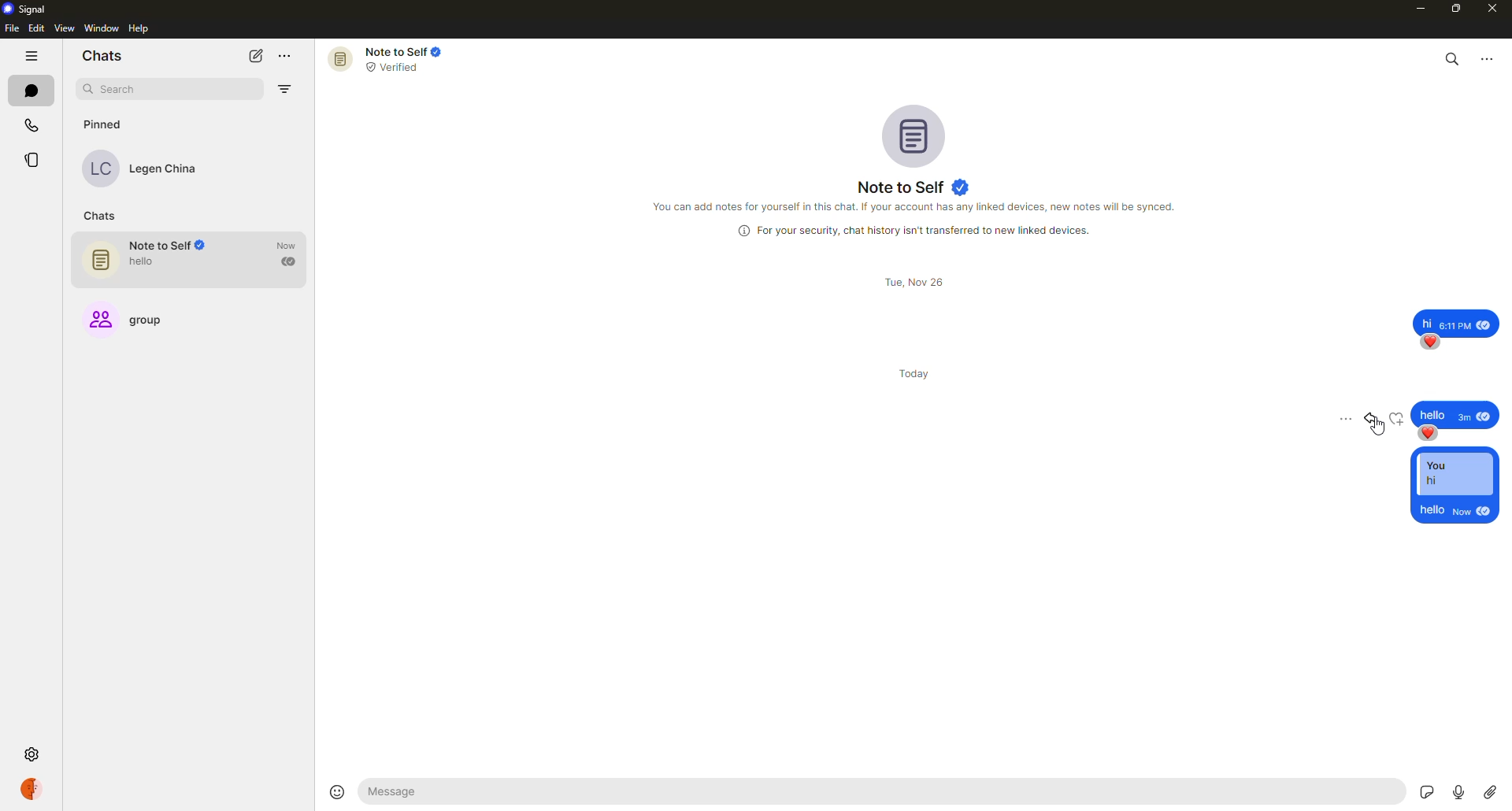 This screenshot has width=1512, height=811. I want to click on minimize, so click(1418, 9).